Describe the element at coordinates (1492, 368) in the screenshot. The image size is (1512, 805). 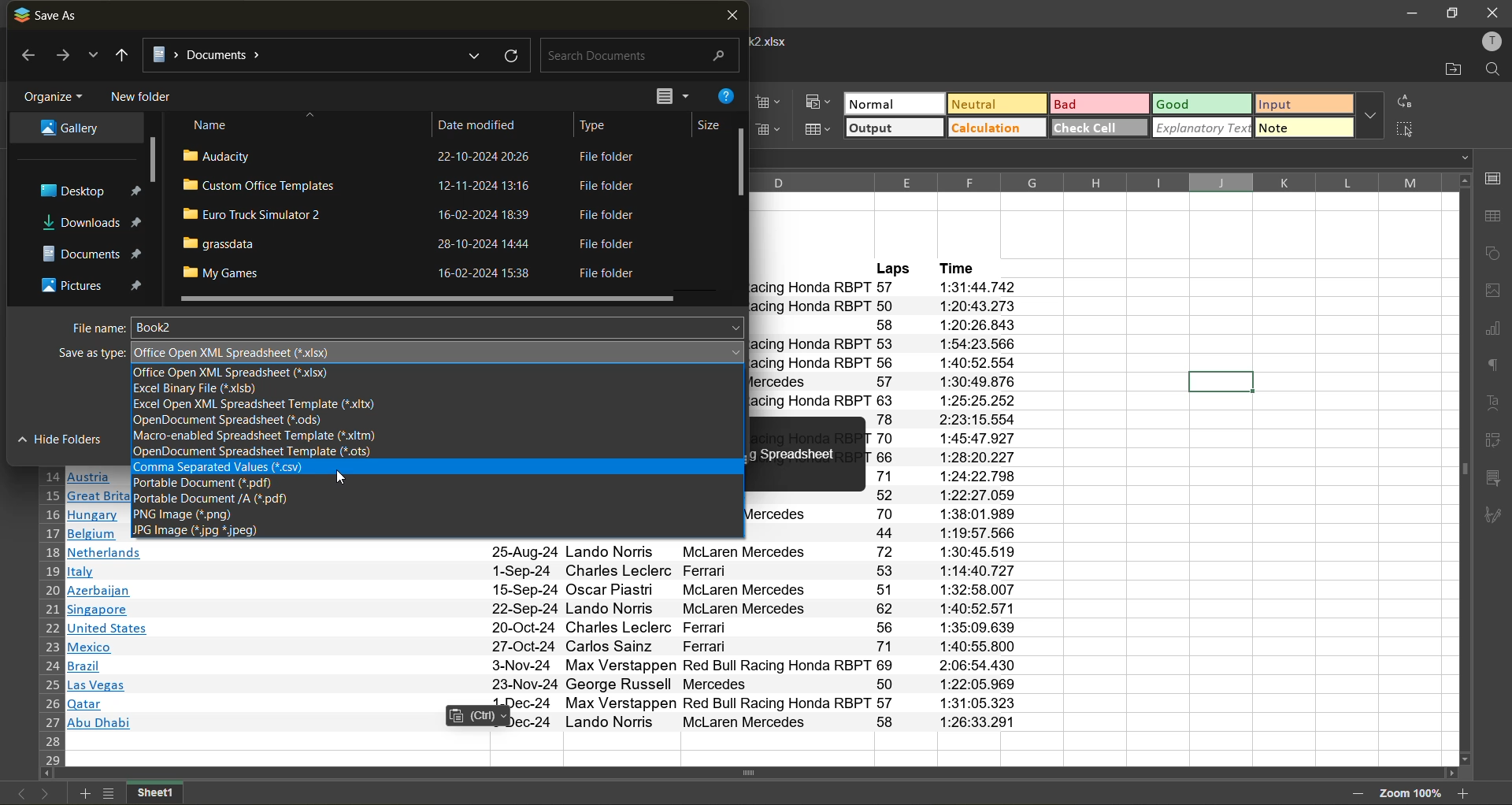
I see `paragraph` at that location.